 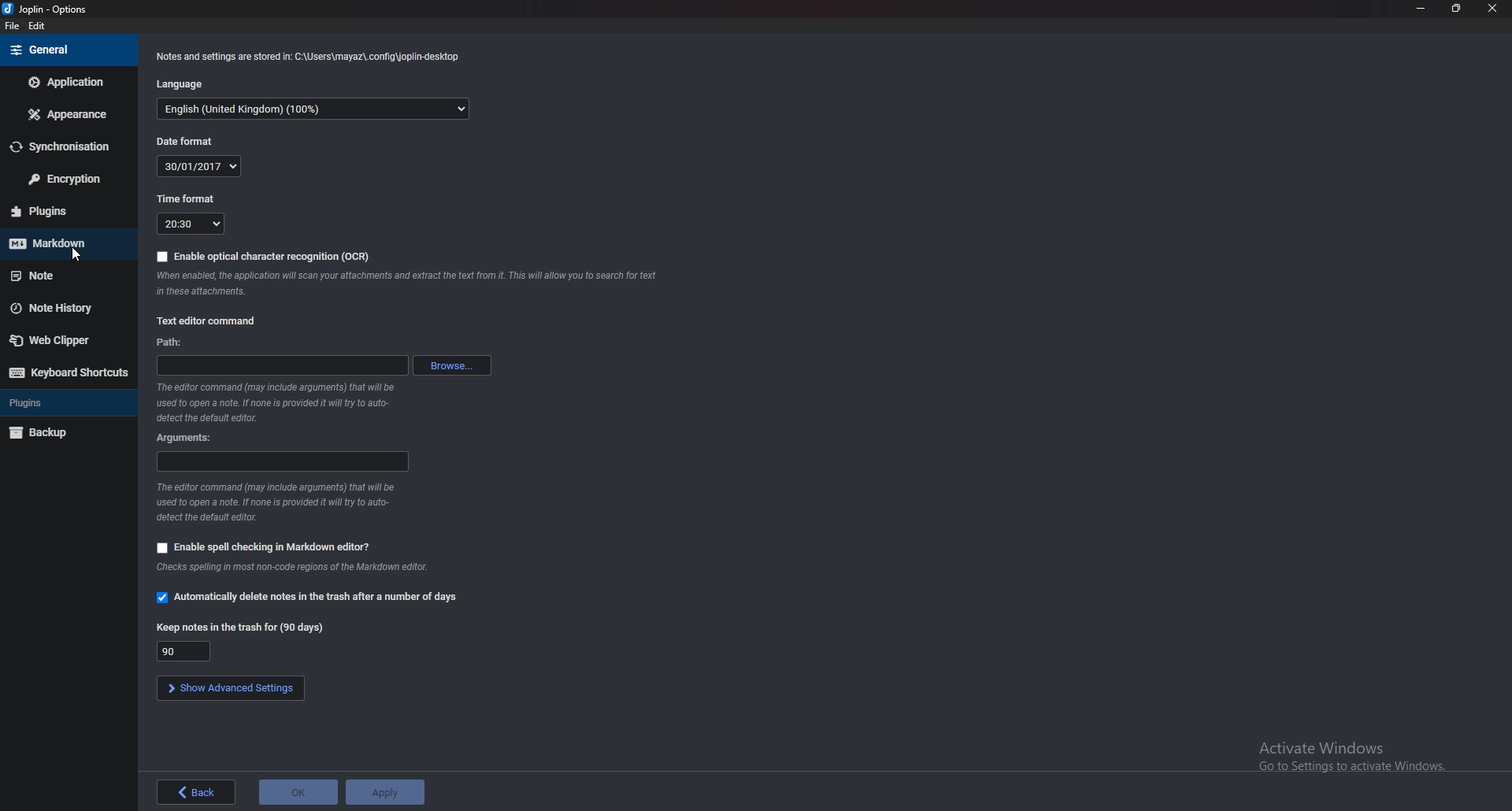 I want to click on info, so click(x=278, y=502).